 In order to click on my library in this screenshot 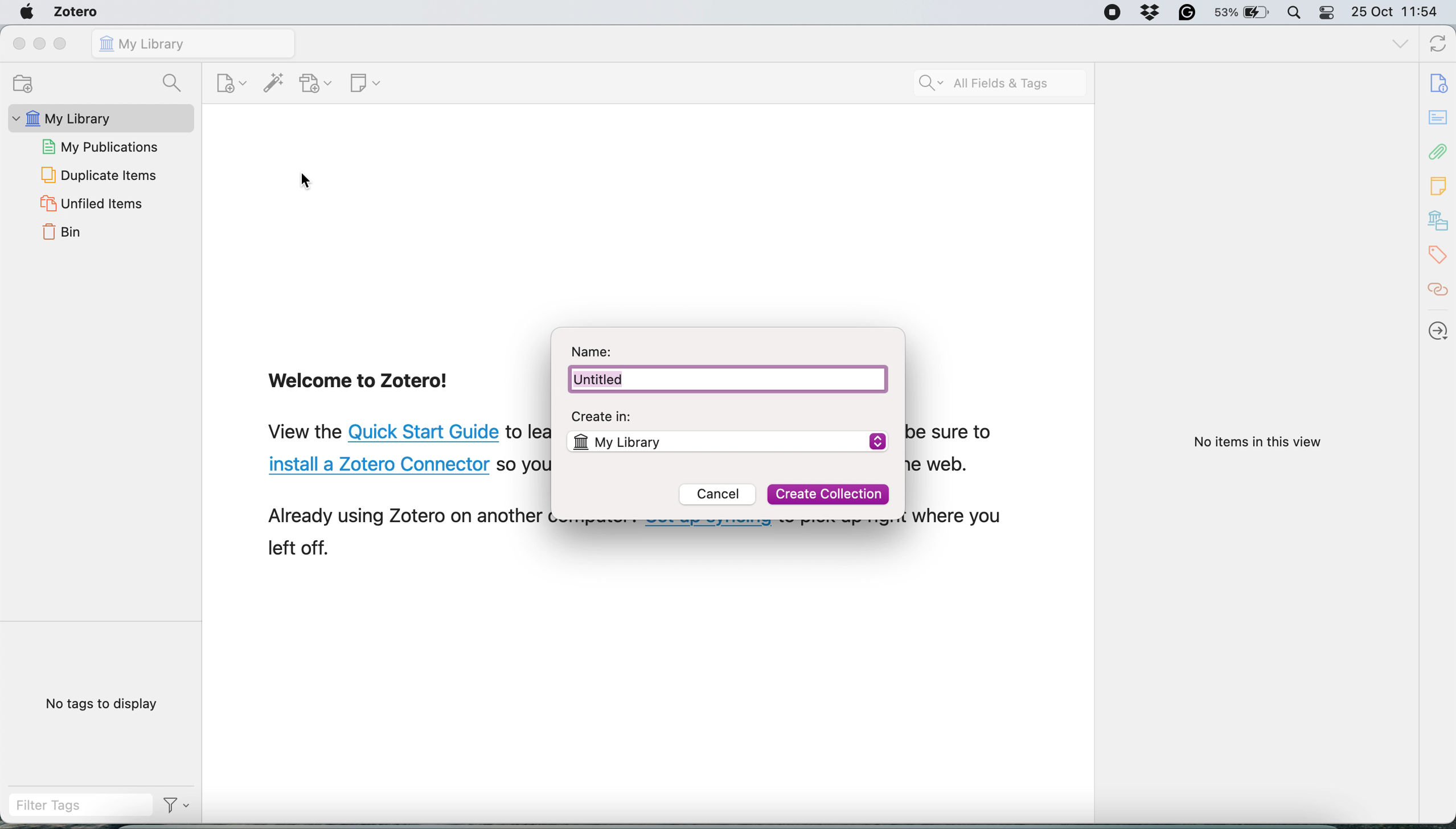, I will do `click(194, 43)`.